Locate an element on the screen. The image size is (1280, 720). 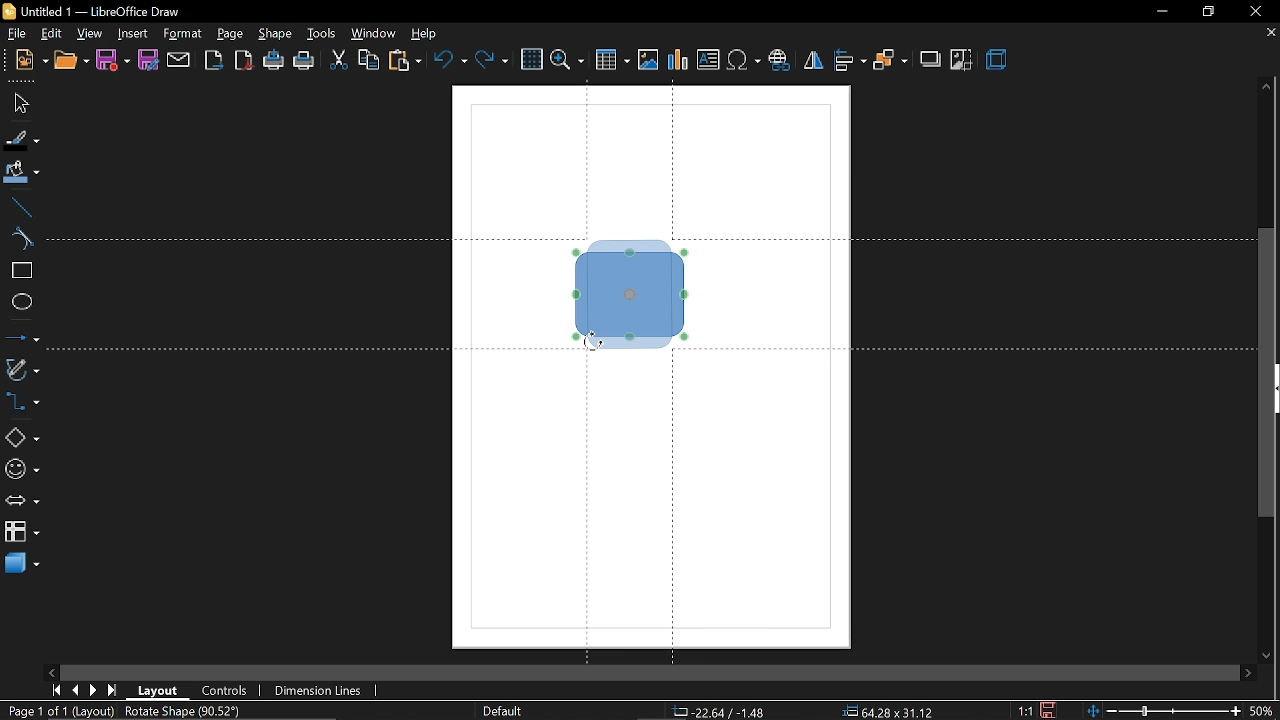
fill color is located at coordinates (22, 174).